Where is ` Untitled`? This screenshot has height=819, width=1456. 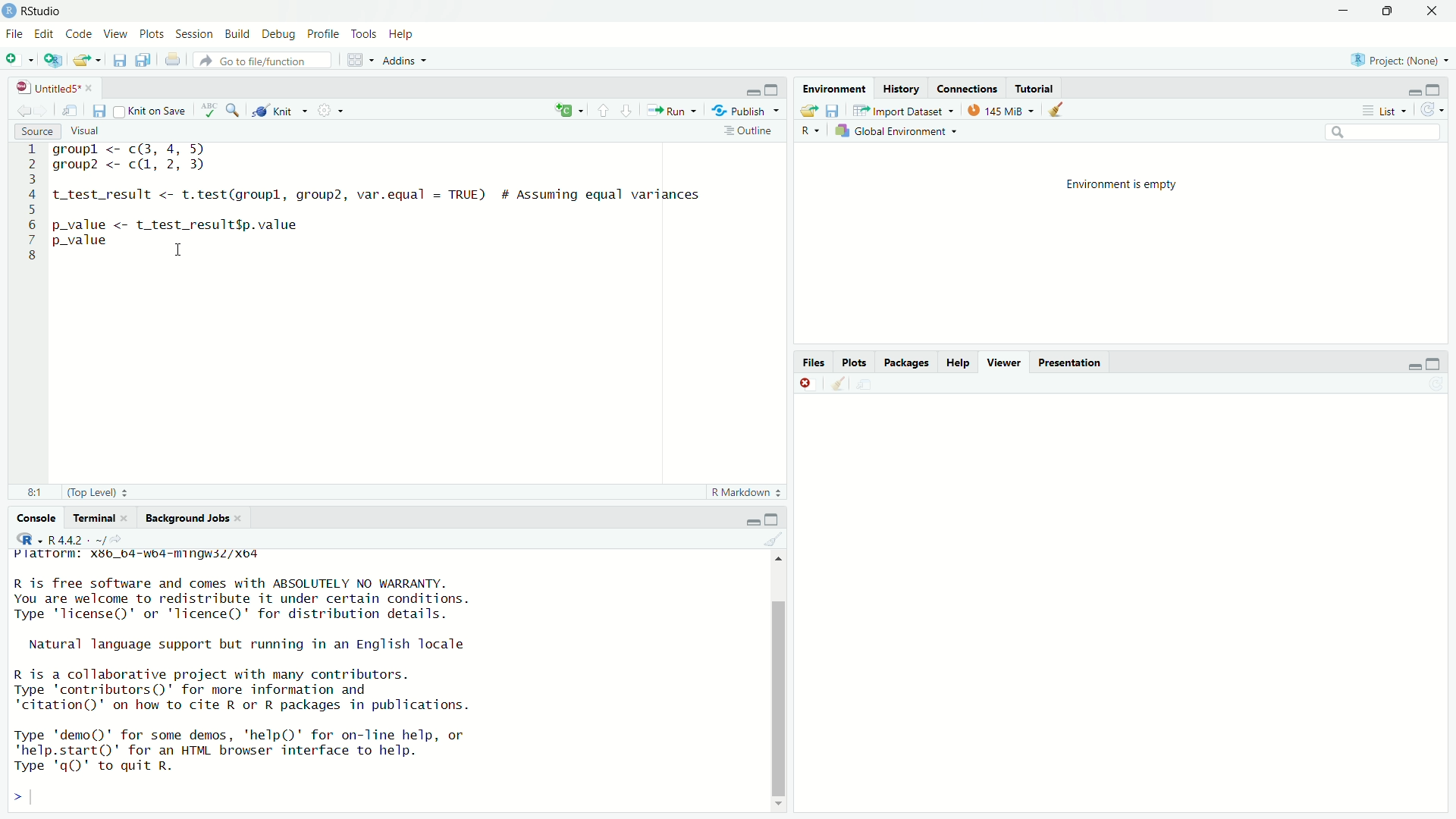
 Untitled is located at coordinates (54, 86).